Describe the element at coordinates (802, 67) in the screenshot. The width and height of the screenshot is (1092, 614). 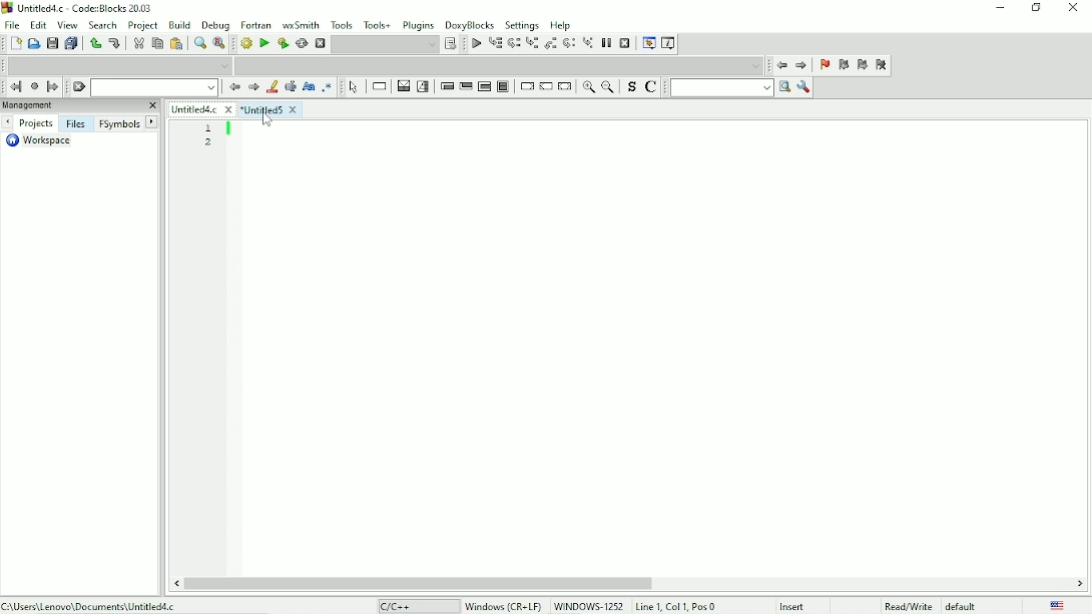
I see `Jump forward` at that location.